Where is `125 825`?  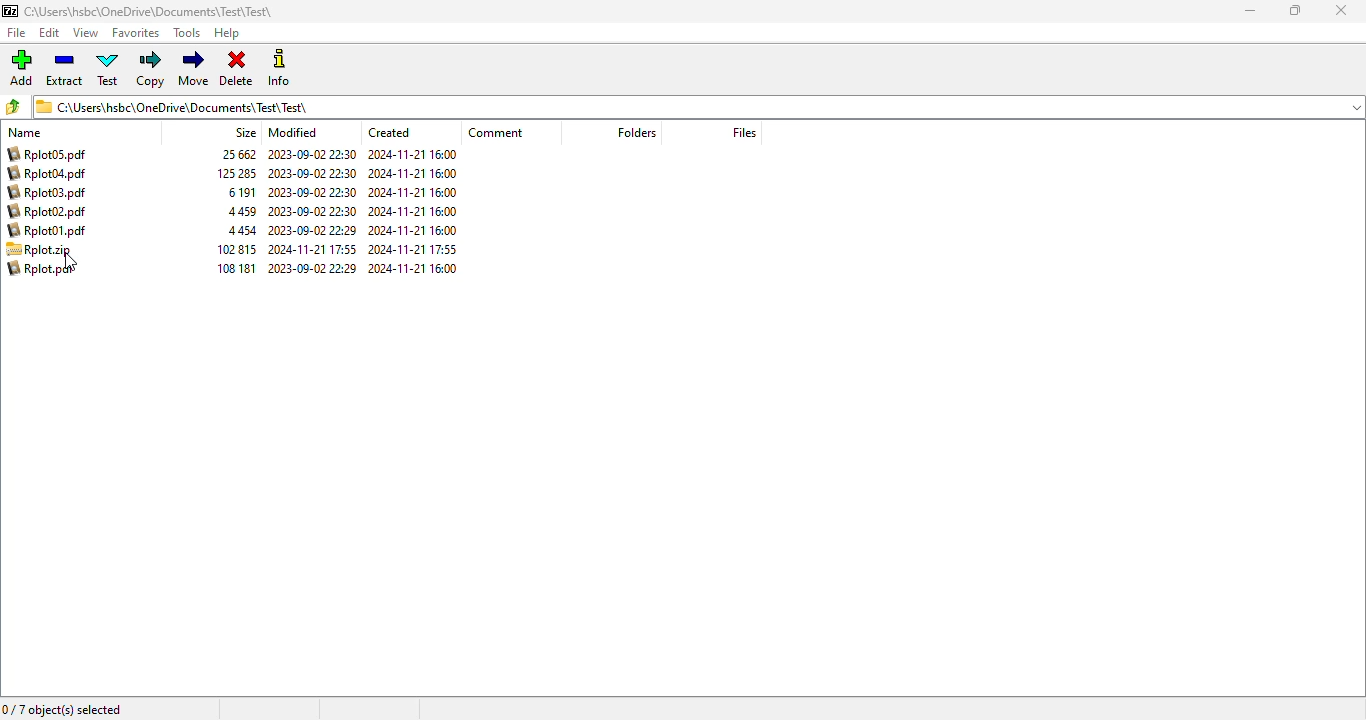
125 825 is located at coordinates (238, 175).